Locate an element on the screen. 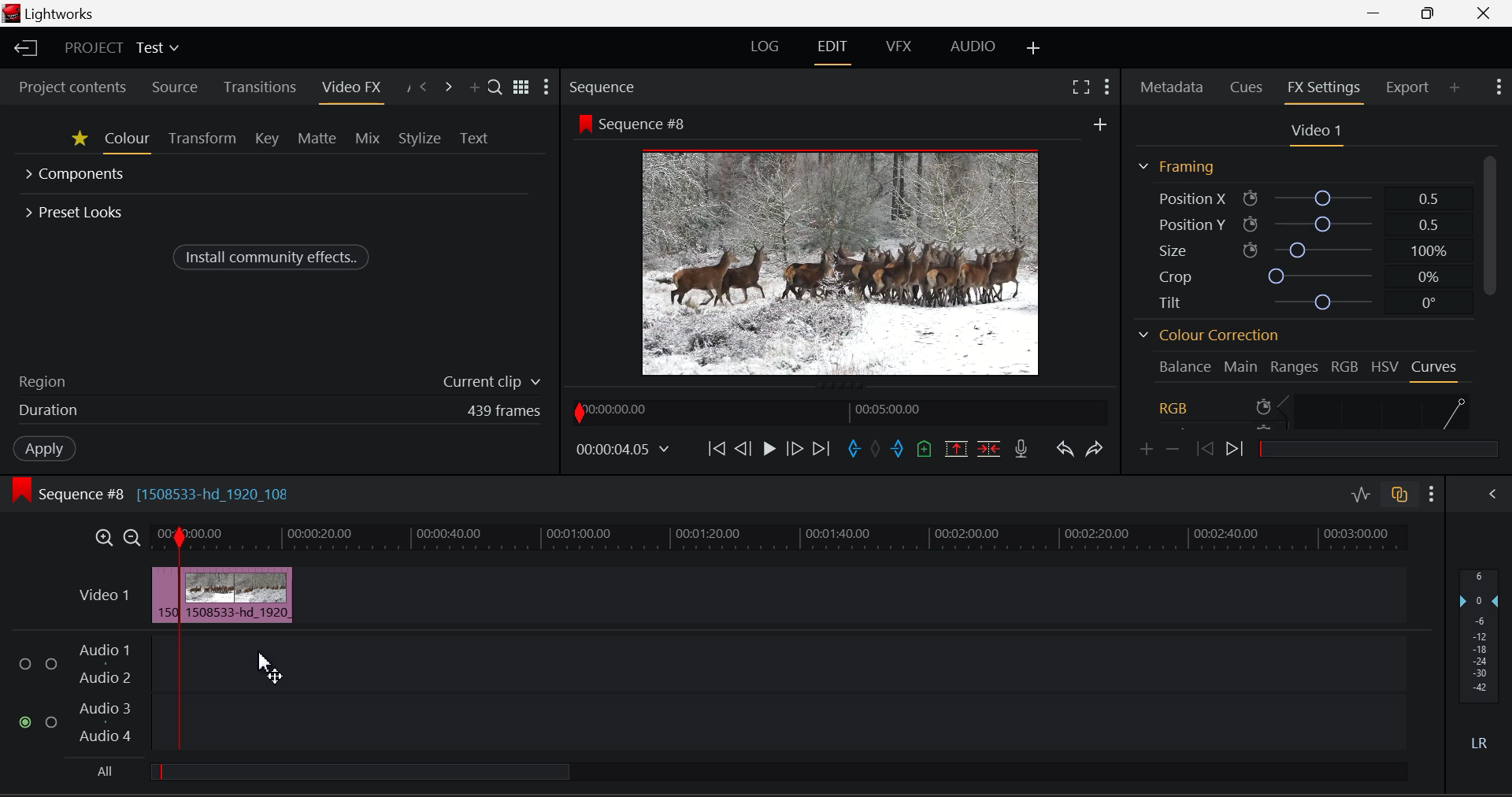 This screenshot has height=797, width=1512. Go Back is located at coordinates (745, 450).